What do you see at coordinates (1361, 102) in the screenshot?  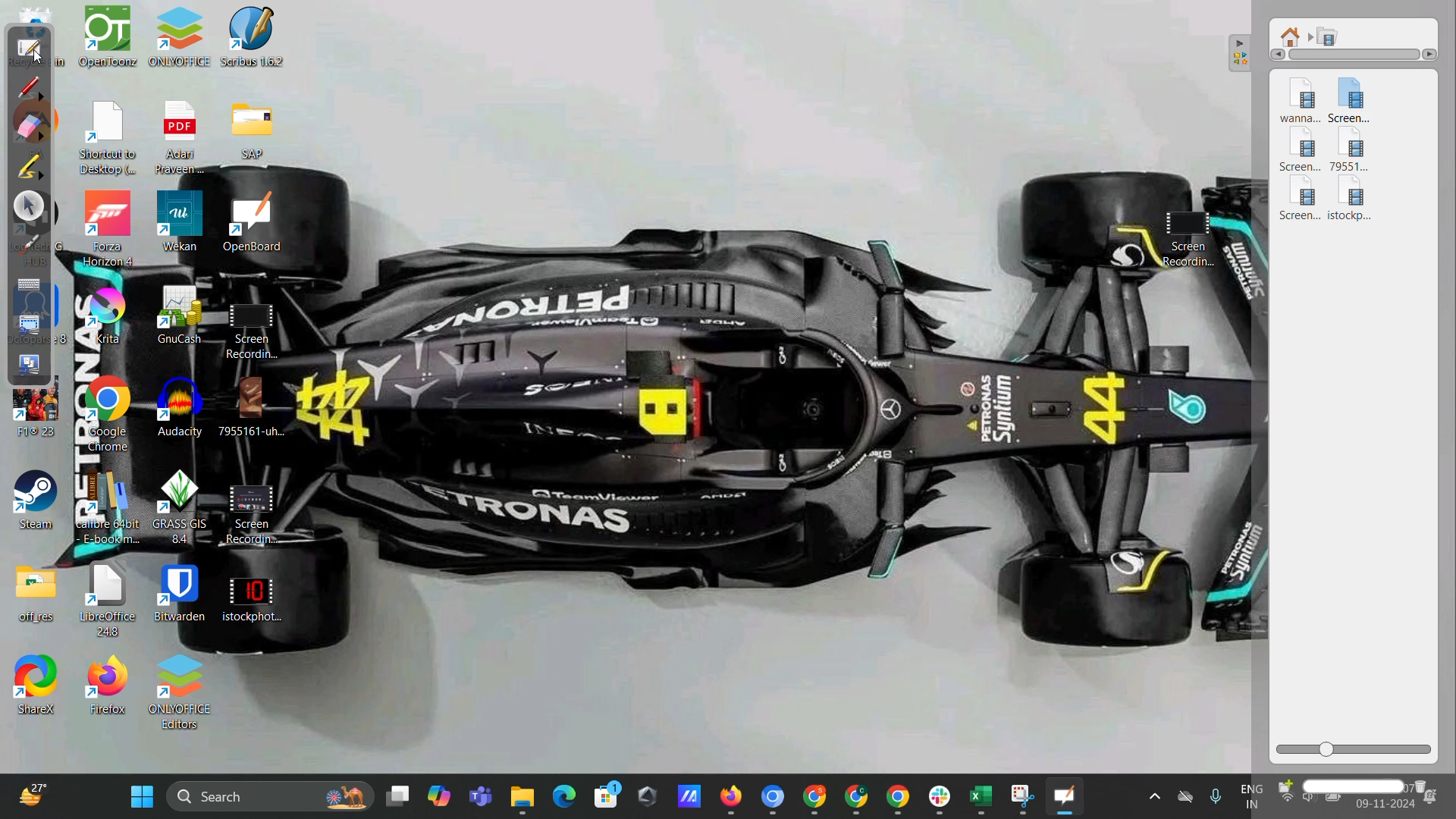 I see `video 2` at bounding box center [1361, 102].